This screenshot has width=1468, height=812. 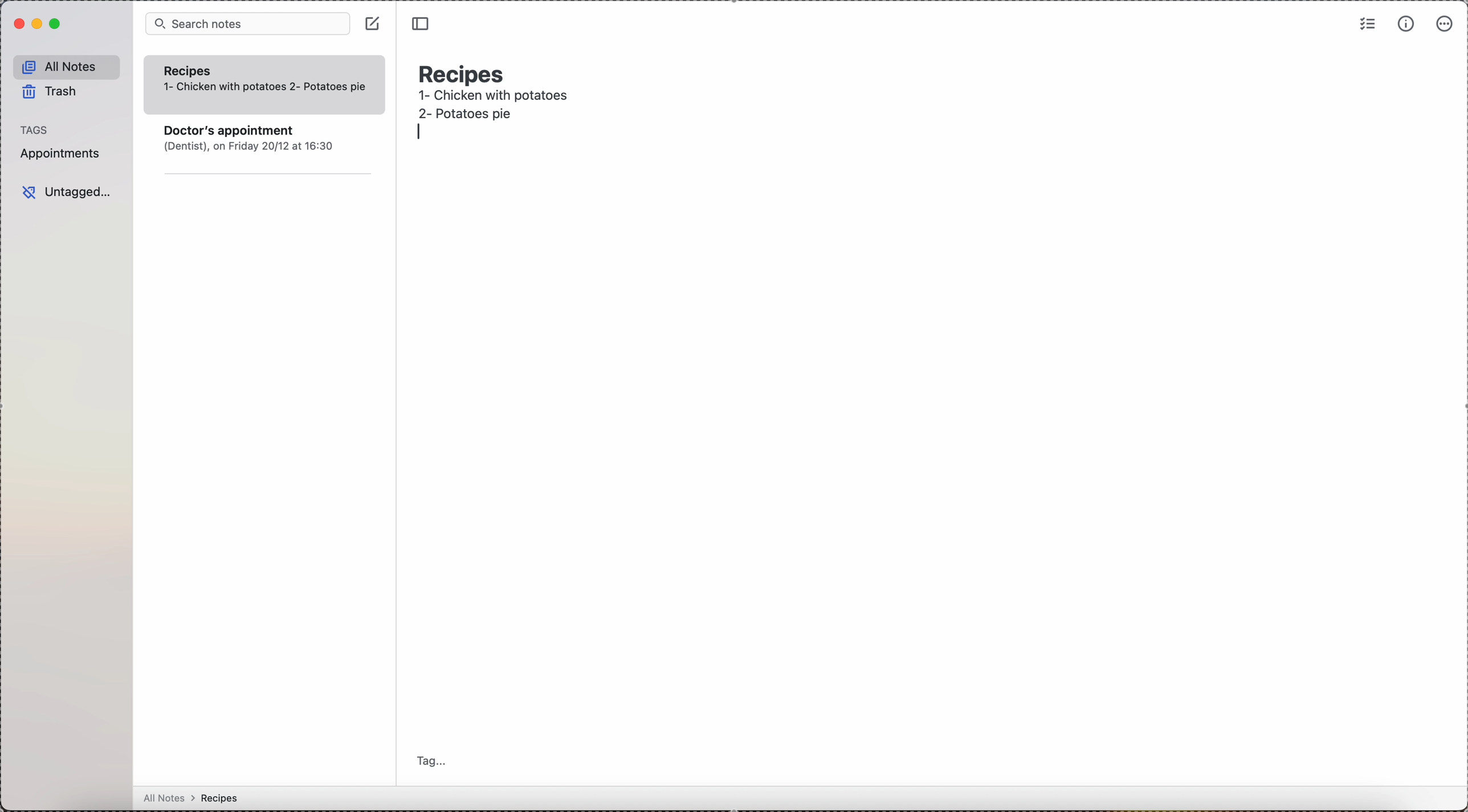 What do you see at coordinates (17, 25) in the screenshot?
I see `close simplenote` at bounding box center [17, 25].